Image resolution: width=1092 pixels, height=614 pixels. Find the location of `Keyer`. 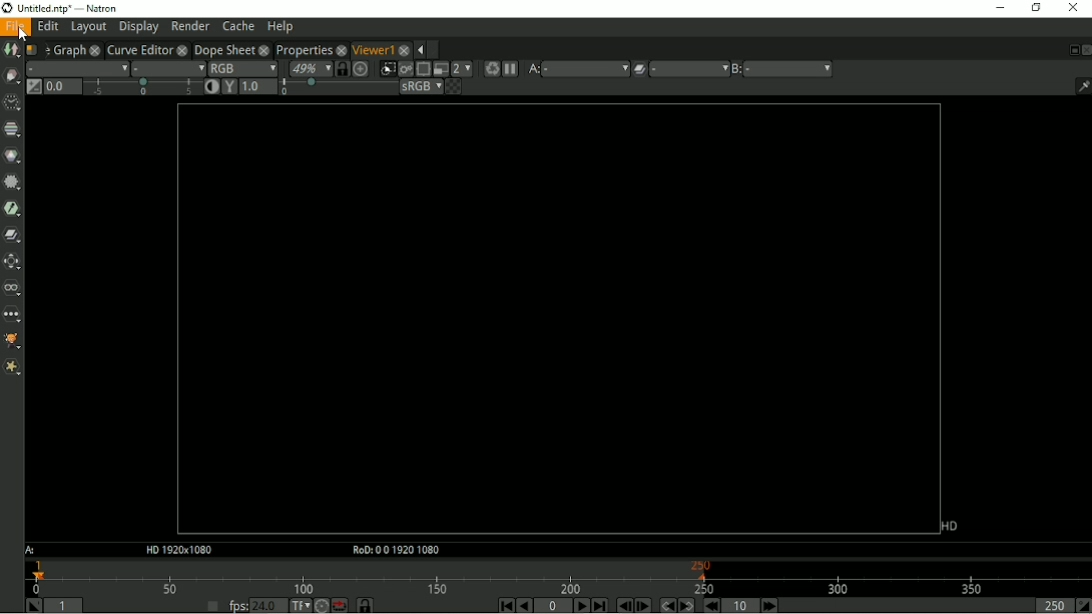

Keyer is located at coordinates (12, 208).